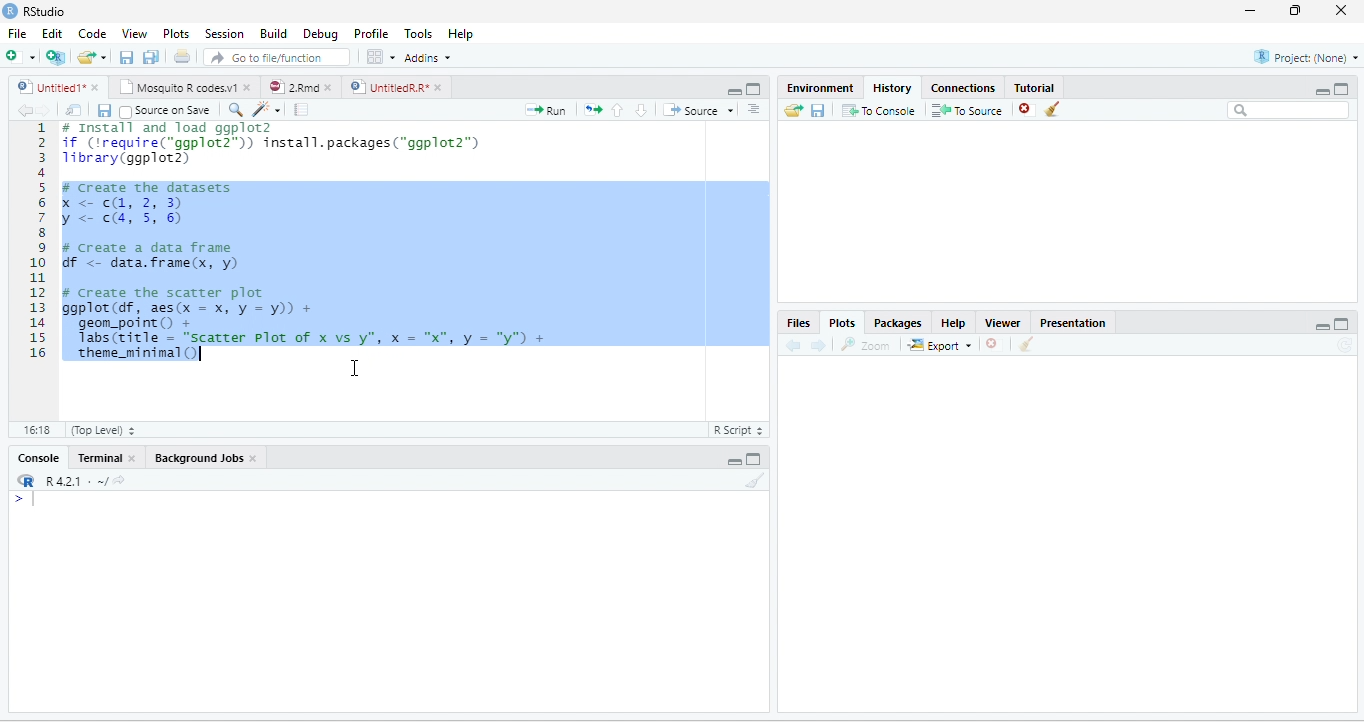 This screenshot has width=1364, height=722. I want to click on Viewer, so click(1004, 322).